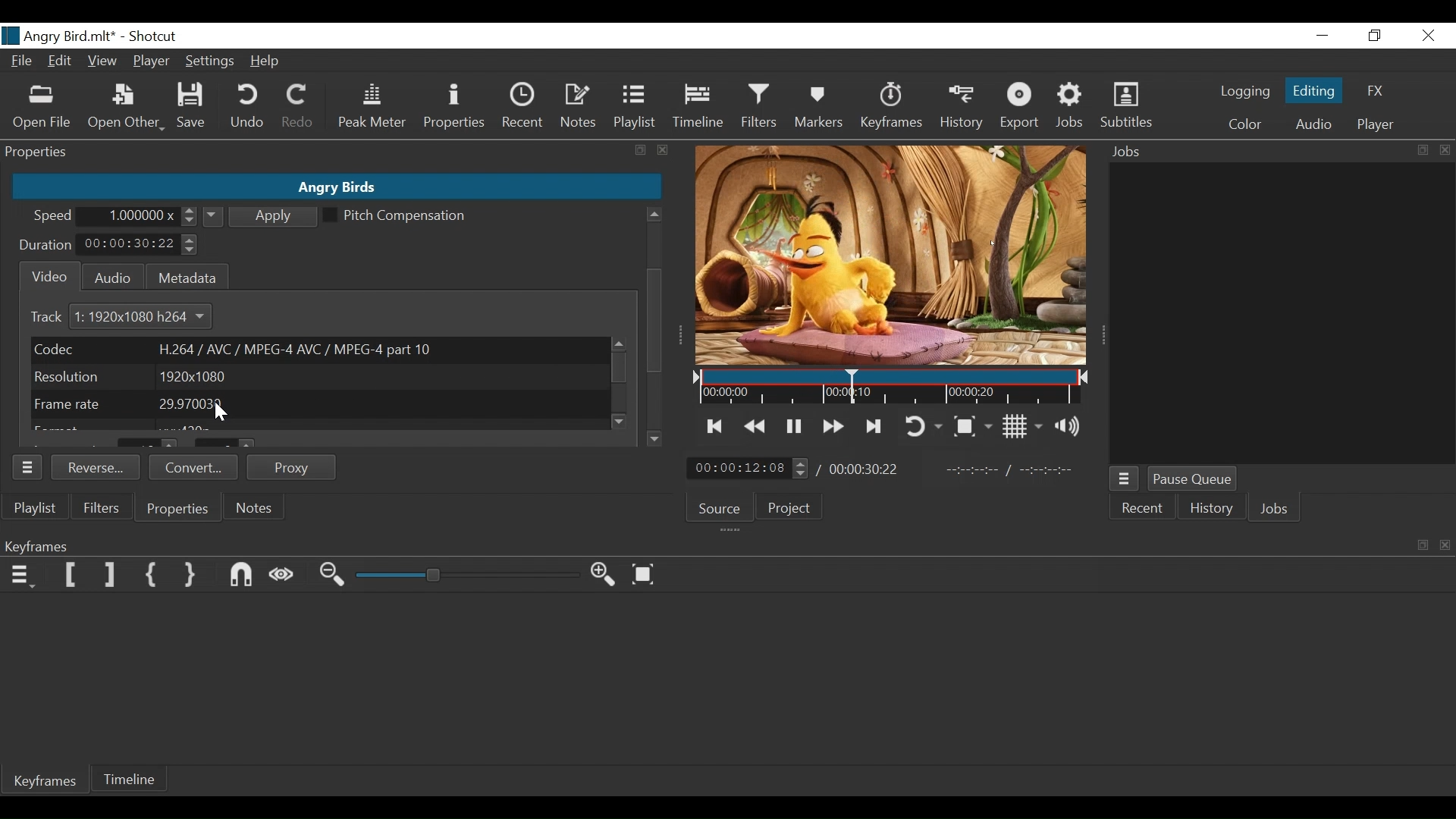  What do you see at coordinates (653, 275) in the screenshot?
I see `Vertical Scroll bar` at bounding box center [653, 275].